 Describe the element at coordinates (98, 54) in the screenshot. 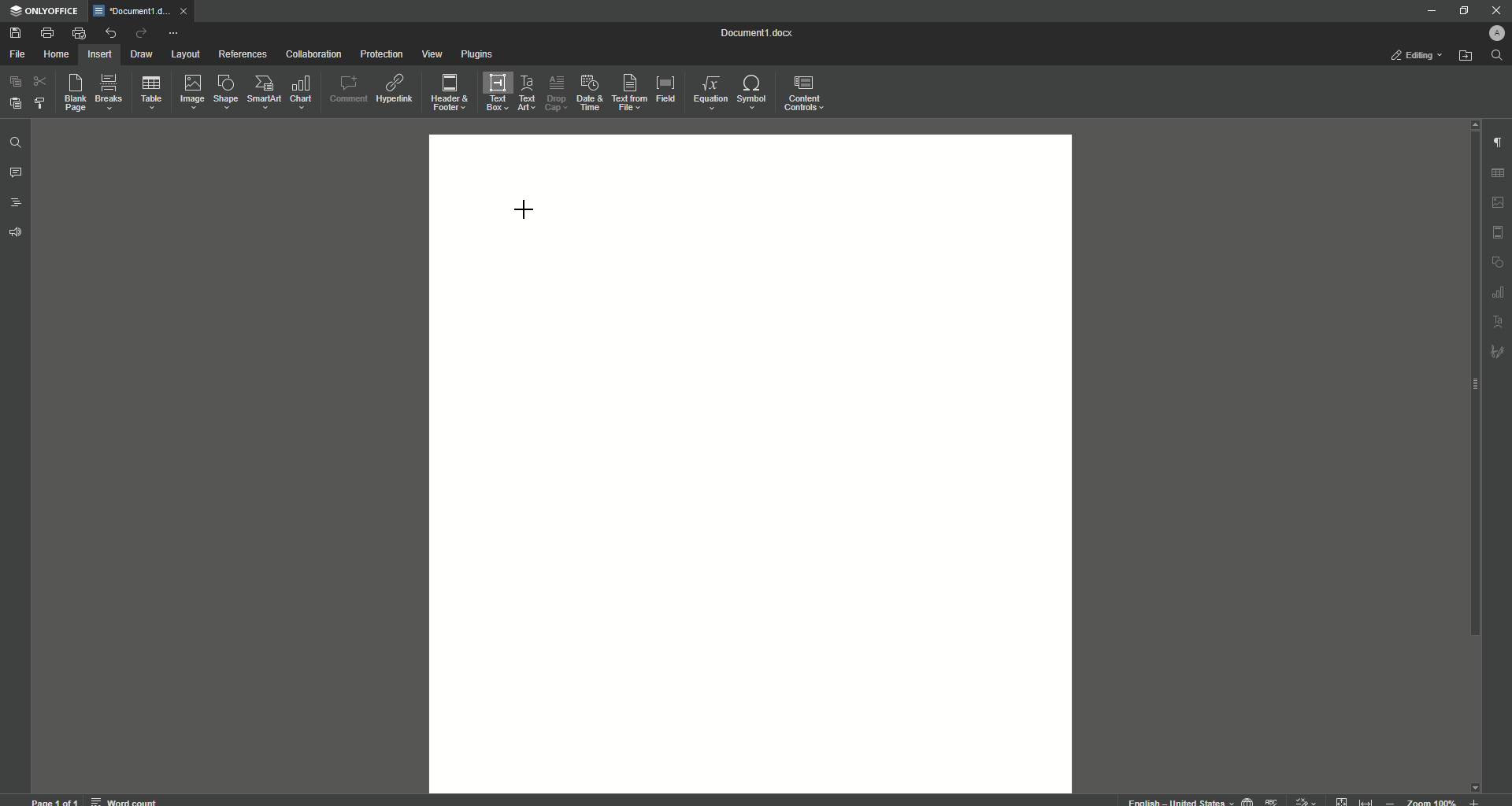

I see `Insert` at that location.